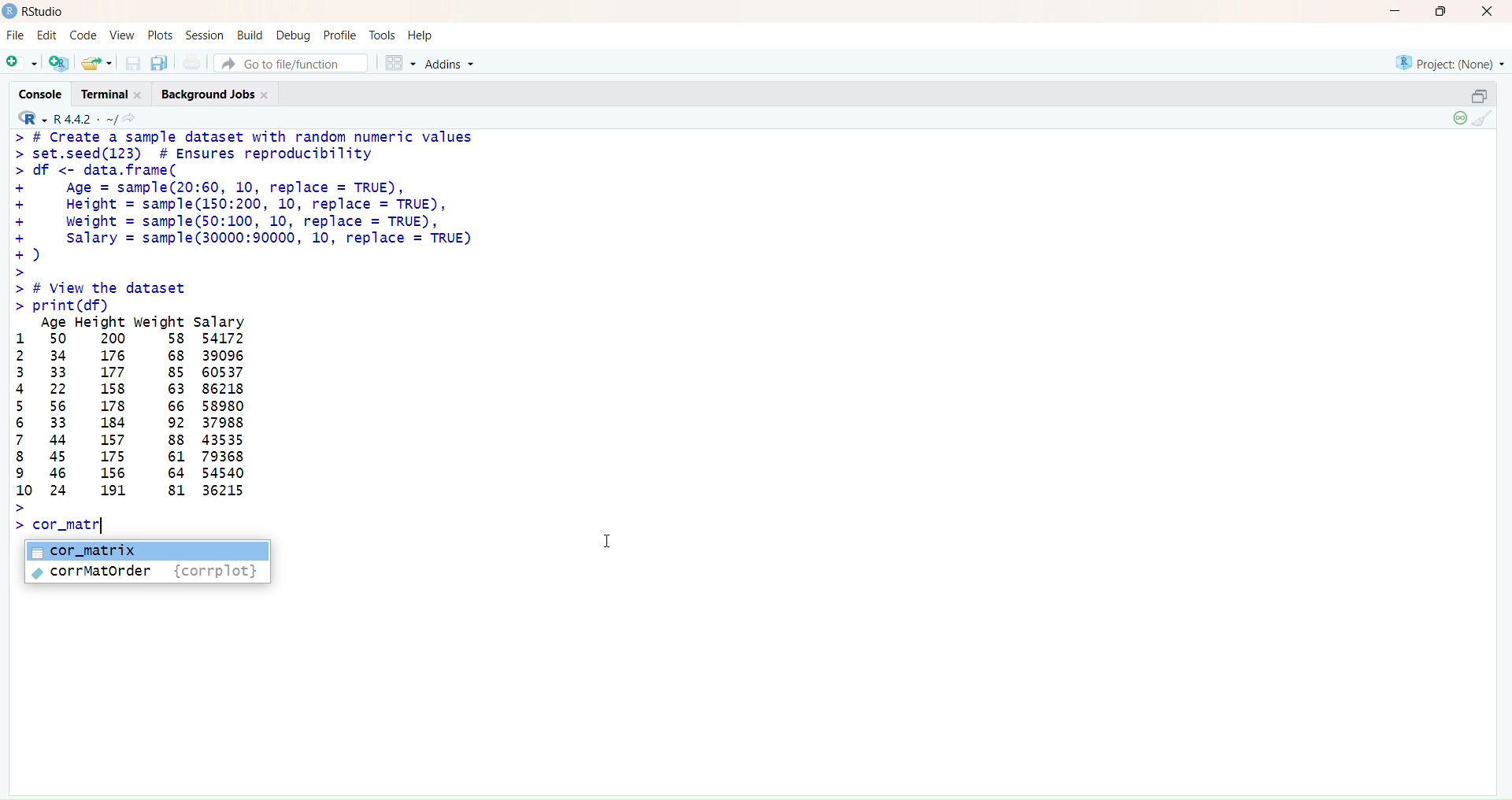 This screenshot has height=800, width=1512. I want to click on FIle, so click(16, 35).